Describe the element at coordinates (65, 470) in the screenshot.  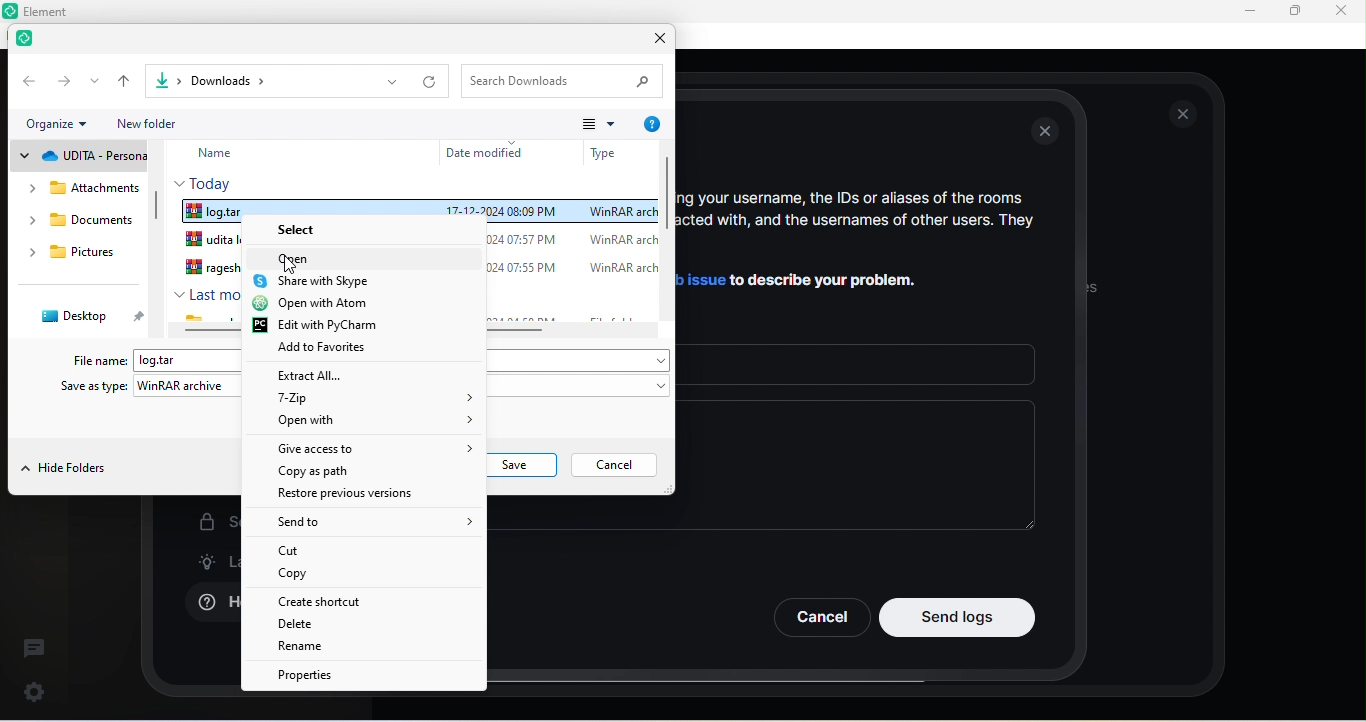
I see `hide folders` at that location.